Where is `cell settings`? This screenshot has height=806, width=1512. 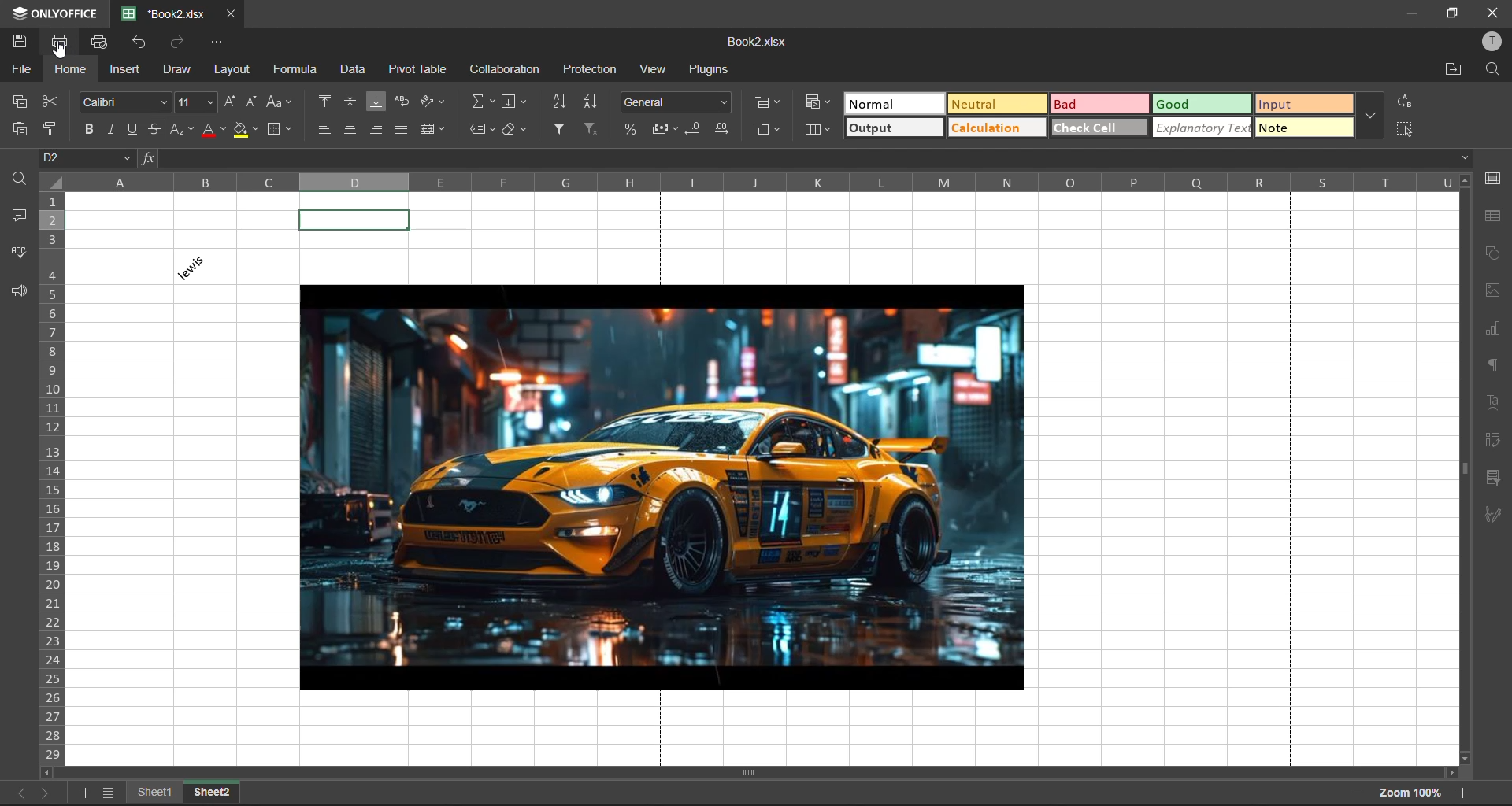 cell settings is located at coordinates (1494, 179).